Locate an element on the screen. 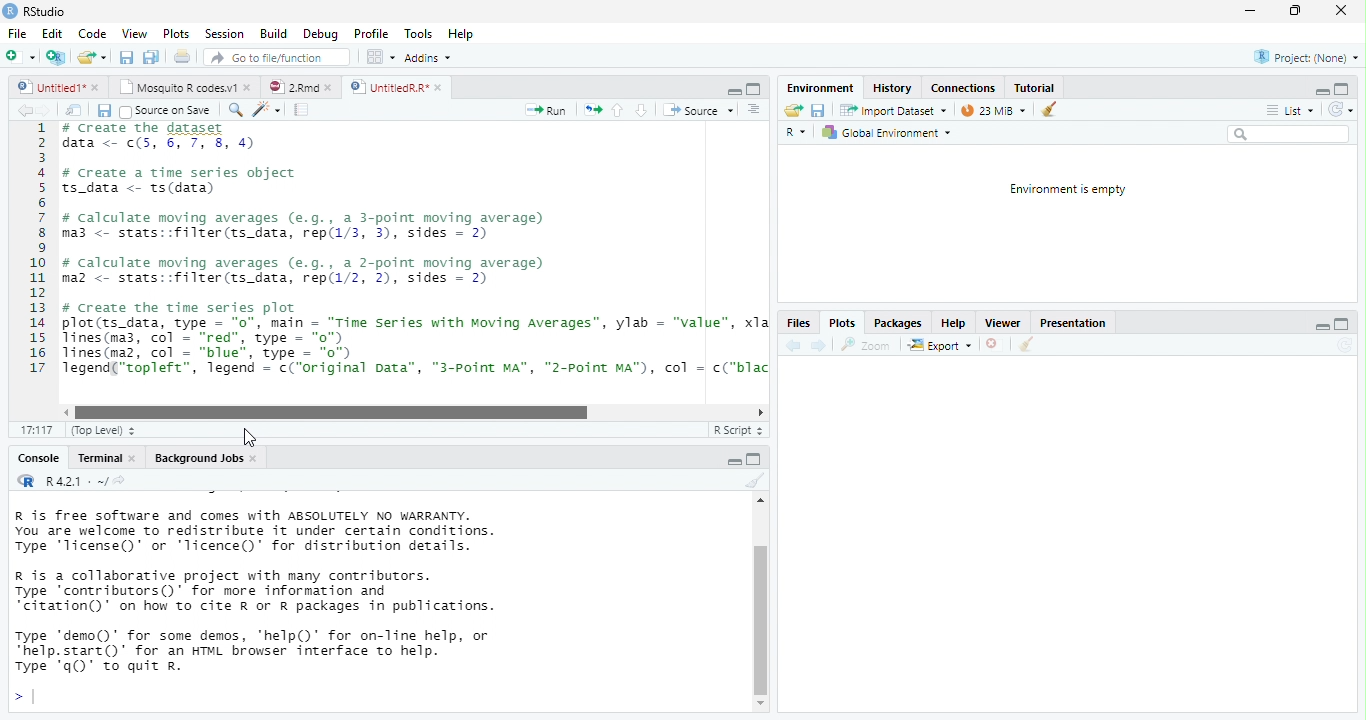 Image resolution: width=1366 pixels, height=720 pixels. maximize is located at coordinates (1295, 11).